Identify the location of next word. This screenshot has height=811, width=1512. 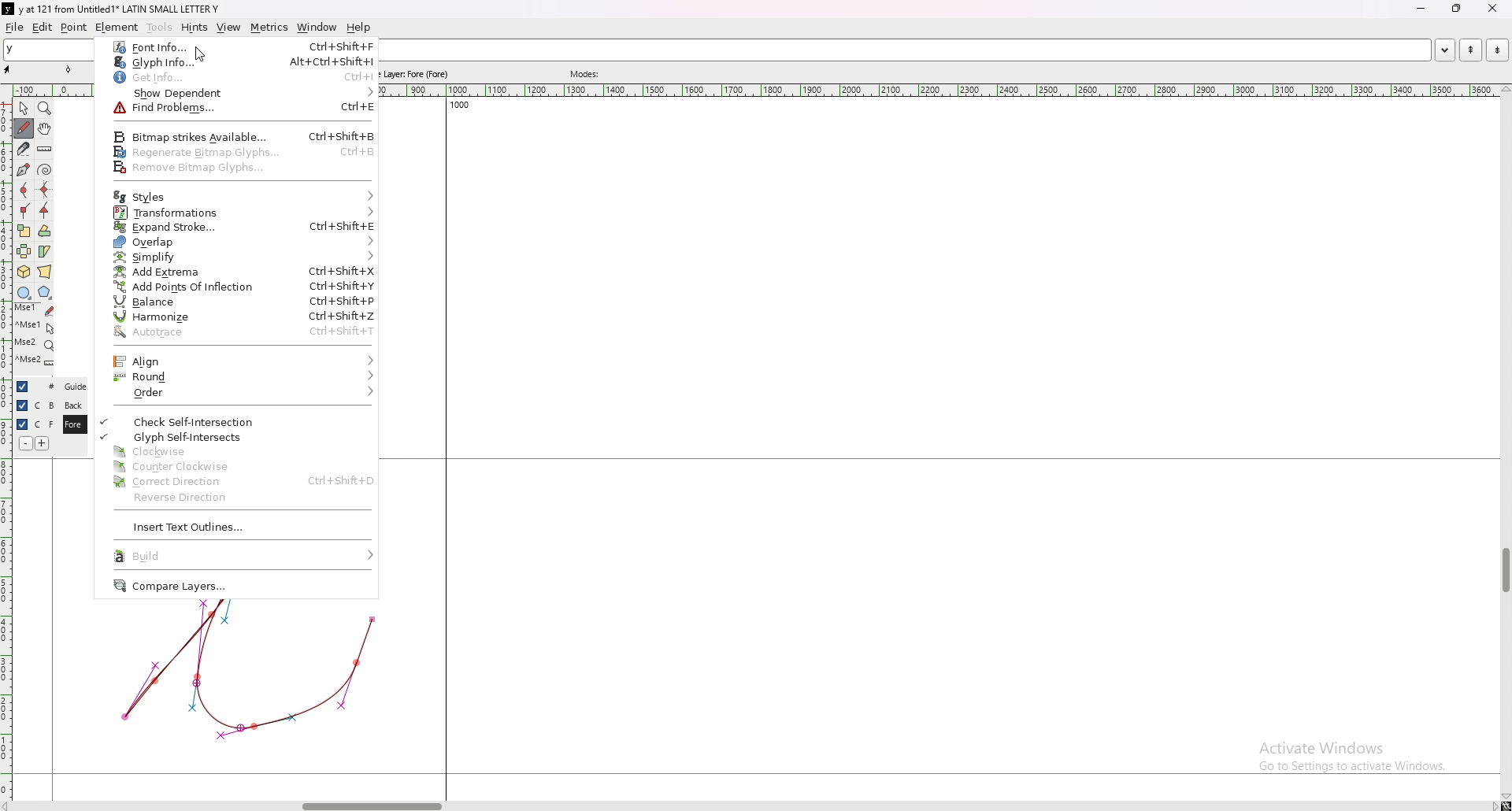
(1496, 50).